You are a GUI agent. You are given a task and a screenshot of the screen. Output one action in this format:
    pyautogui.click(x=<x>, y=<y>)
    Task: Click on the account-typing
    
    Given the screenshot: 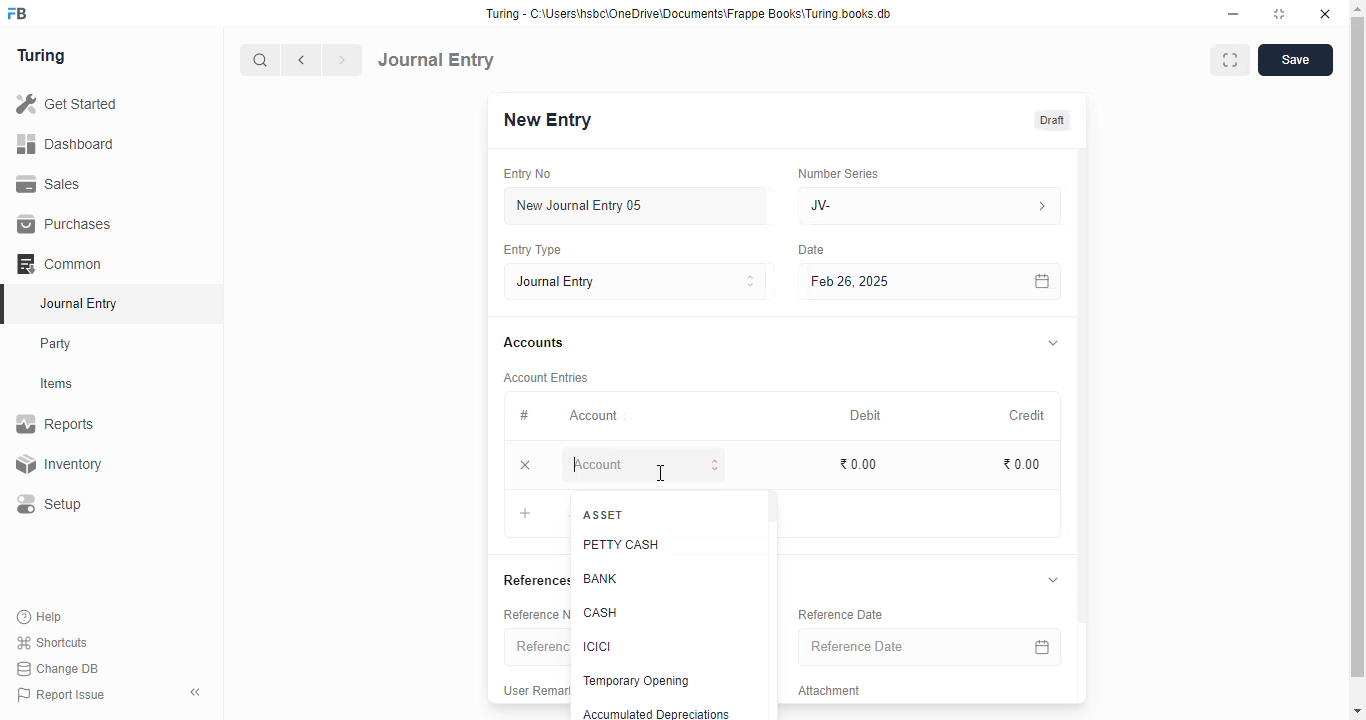 What is the action you would take?
    pyautogui.click(x=643, y=465)
    